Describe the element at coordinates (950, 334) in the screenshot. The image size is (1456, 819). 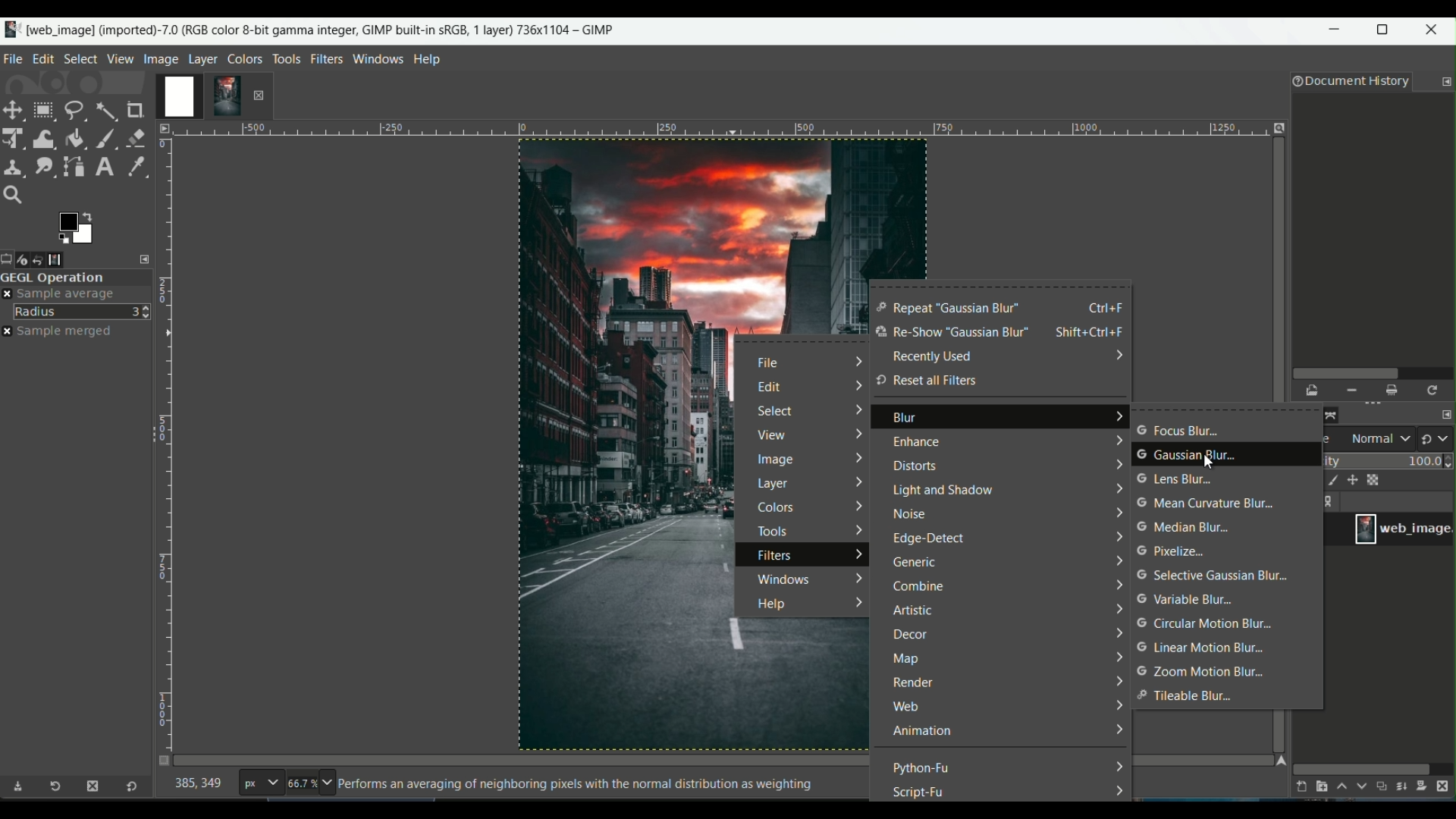
I see `reshow` at that location.